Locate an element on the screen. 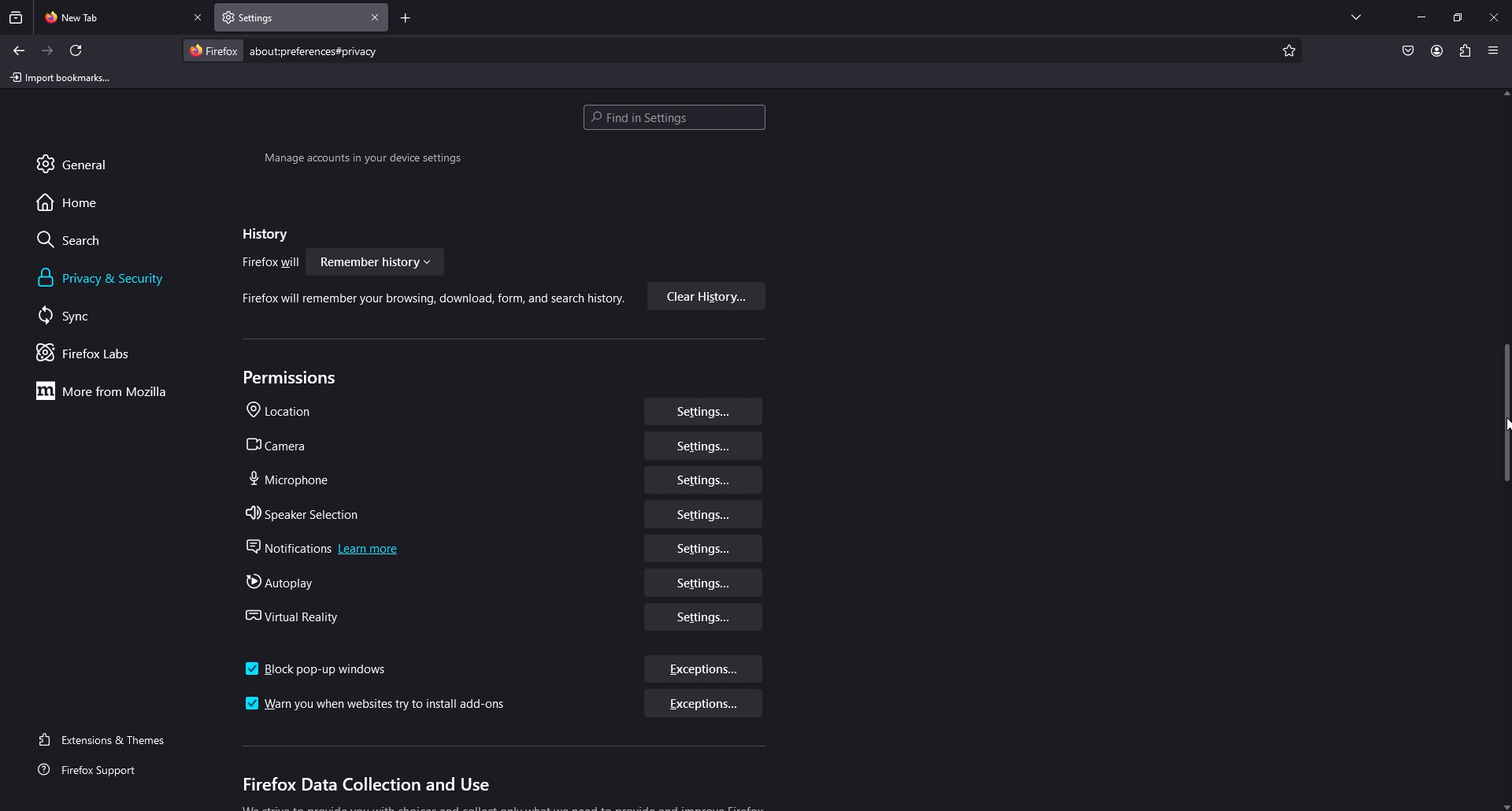 The height and width of the screenshot is (811, 1512). exceptions is located at coordinates (706, 671).